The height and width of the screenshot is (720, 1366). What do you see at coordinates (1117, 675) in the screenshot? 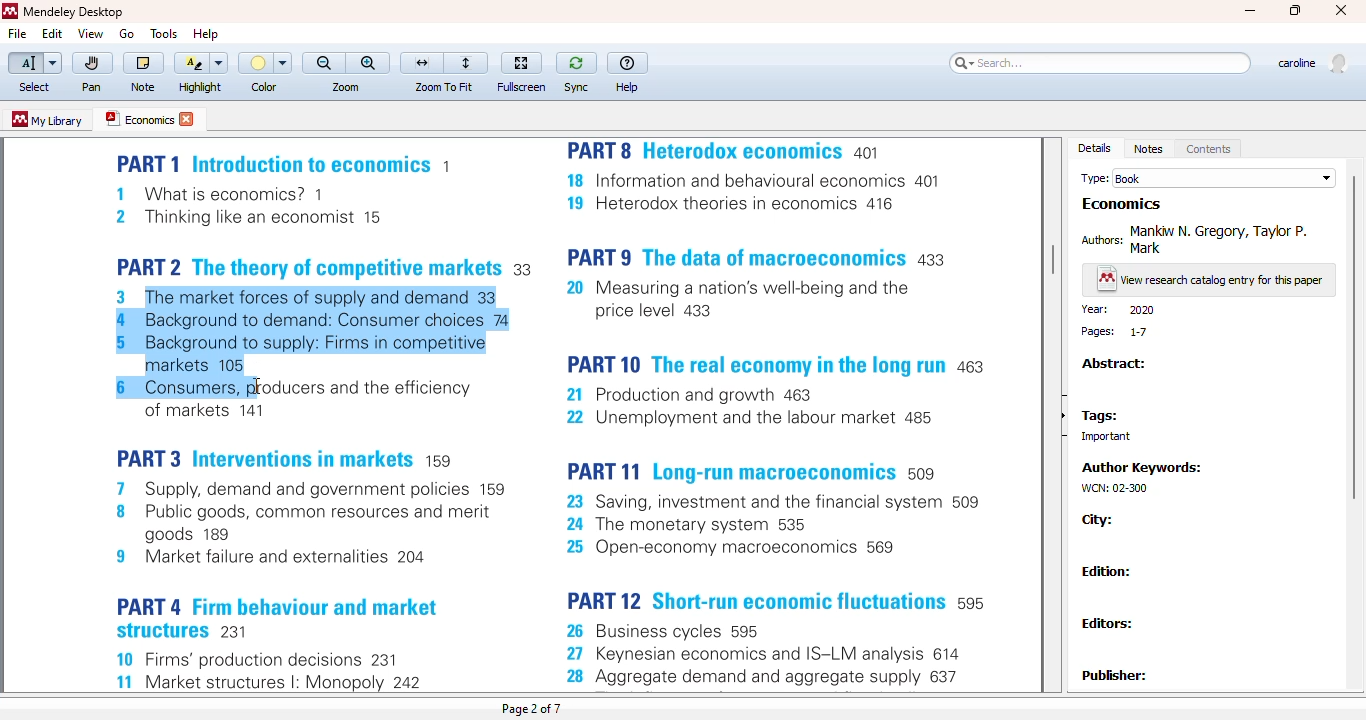
I see `publisher:` at bounding box center [1117, 675].